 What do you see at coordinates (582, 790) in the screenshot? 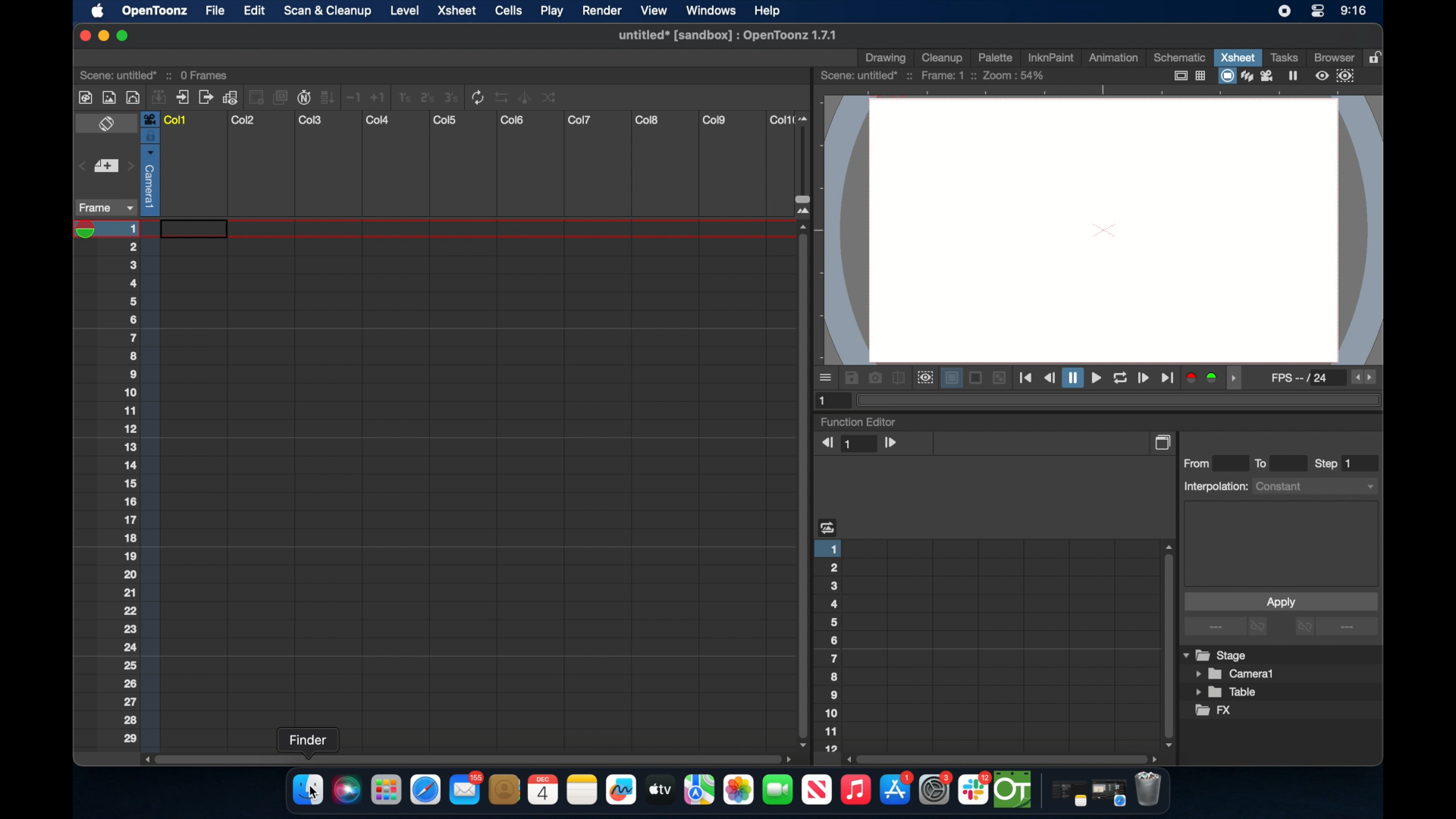
I see `notes` at bounding box center [582, 790].